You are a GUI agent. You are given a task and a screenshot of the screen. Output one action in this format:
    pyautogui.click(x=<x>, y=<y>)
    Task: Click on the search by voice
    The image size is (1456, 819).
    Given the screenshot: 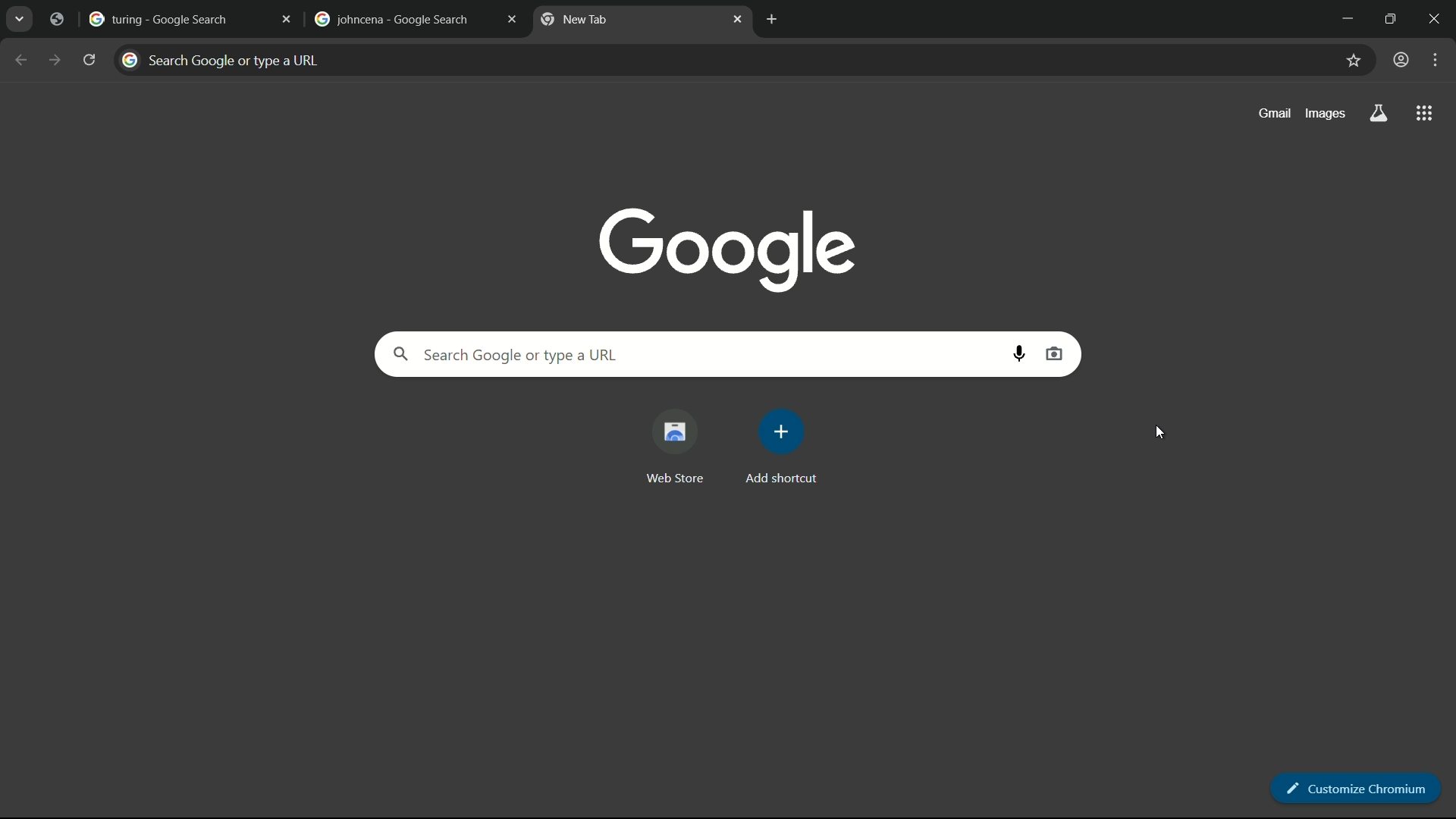 What is the action you would take?
    pyautogui.click(x=1021, y=353)
    